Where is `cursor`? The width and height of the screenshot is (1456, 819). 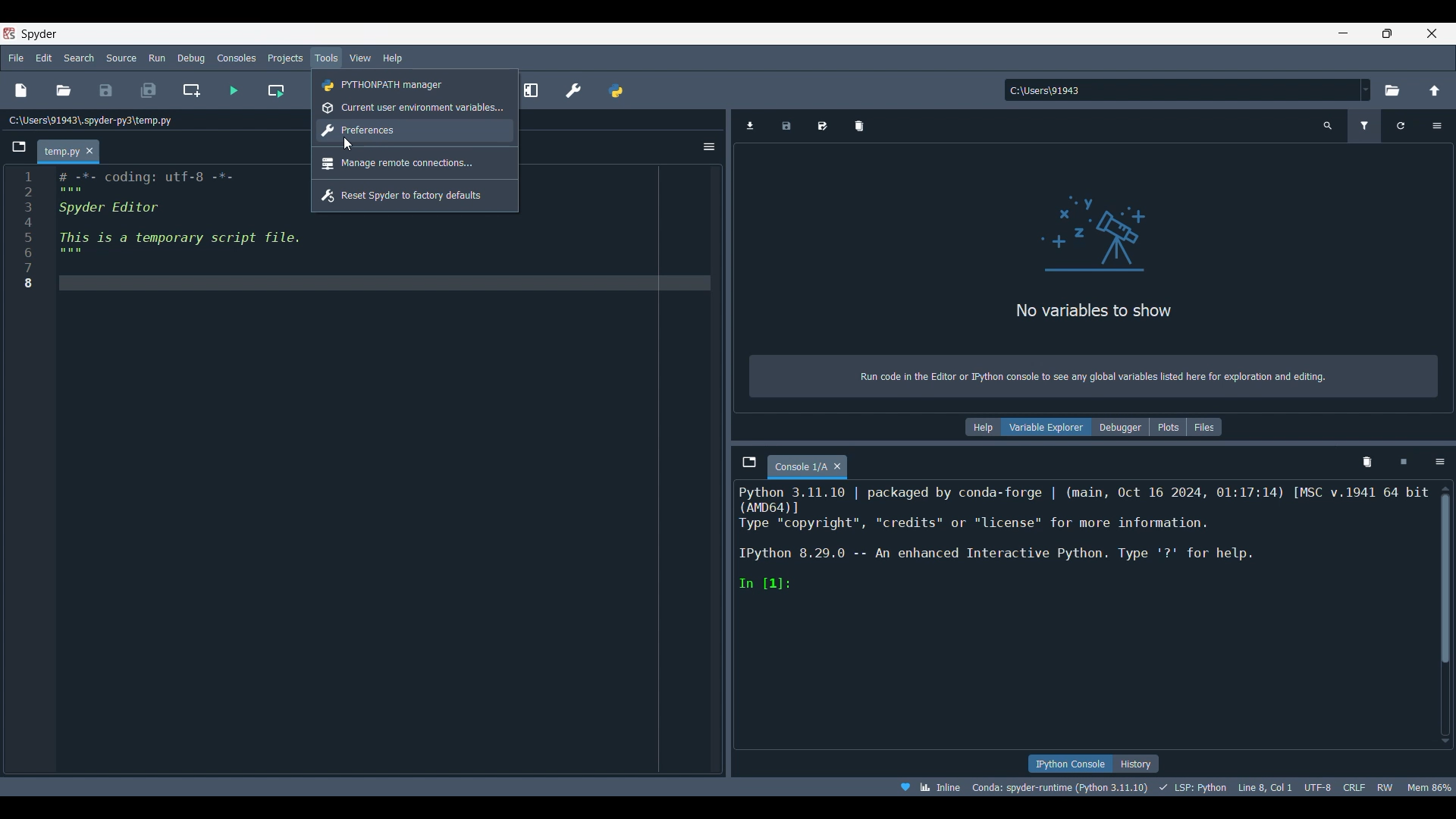
cursor is located at coordinates (347, 142).